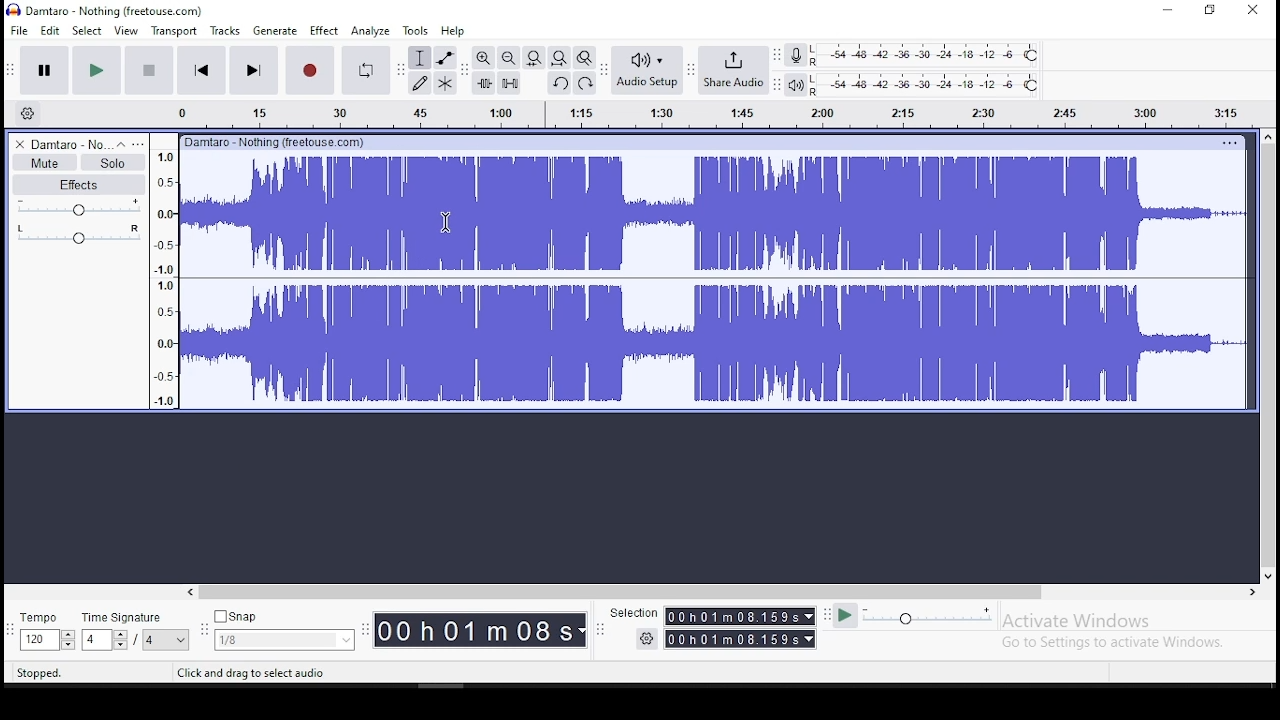 The height and width of the screenshot is (720, 1280). What do you see at coordinates (444, 83) in the screenshot?
I see `multi tool` at bounding box center [444, 83].